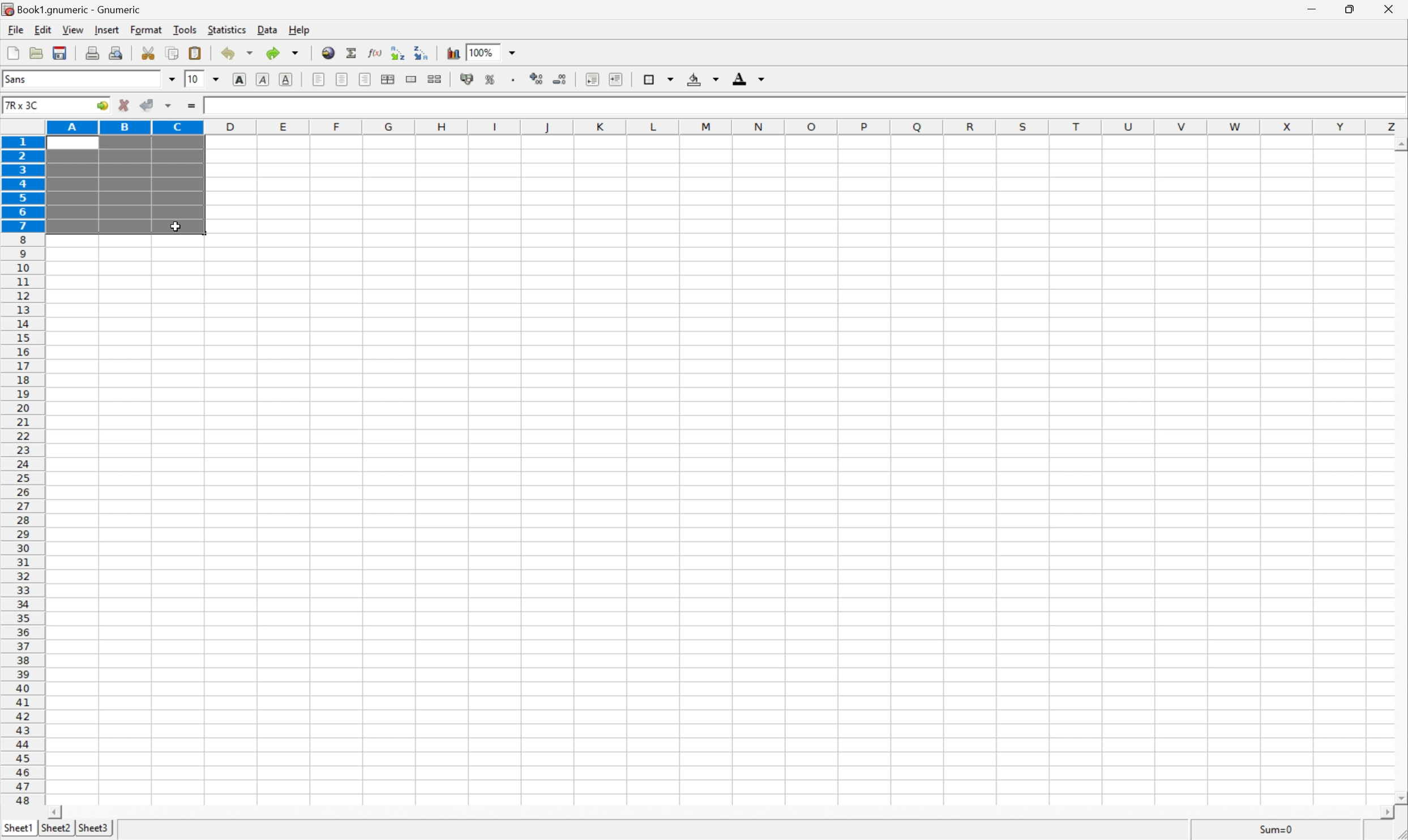 This screenshot has height=840, width=1408. I want to click on print, so click(92, 52).